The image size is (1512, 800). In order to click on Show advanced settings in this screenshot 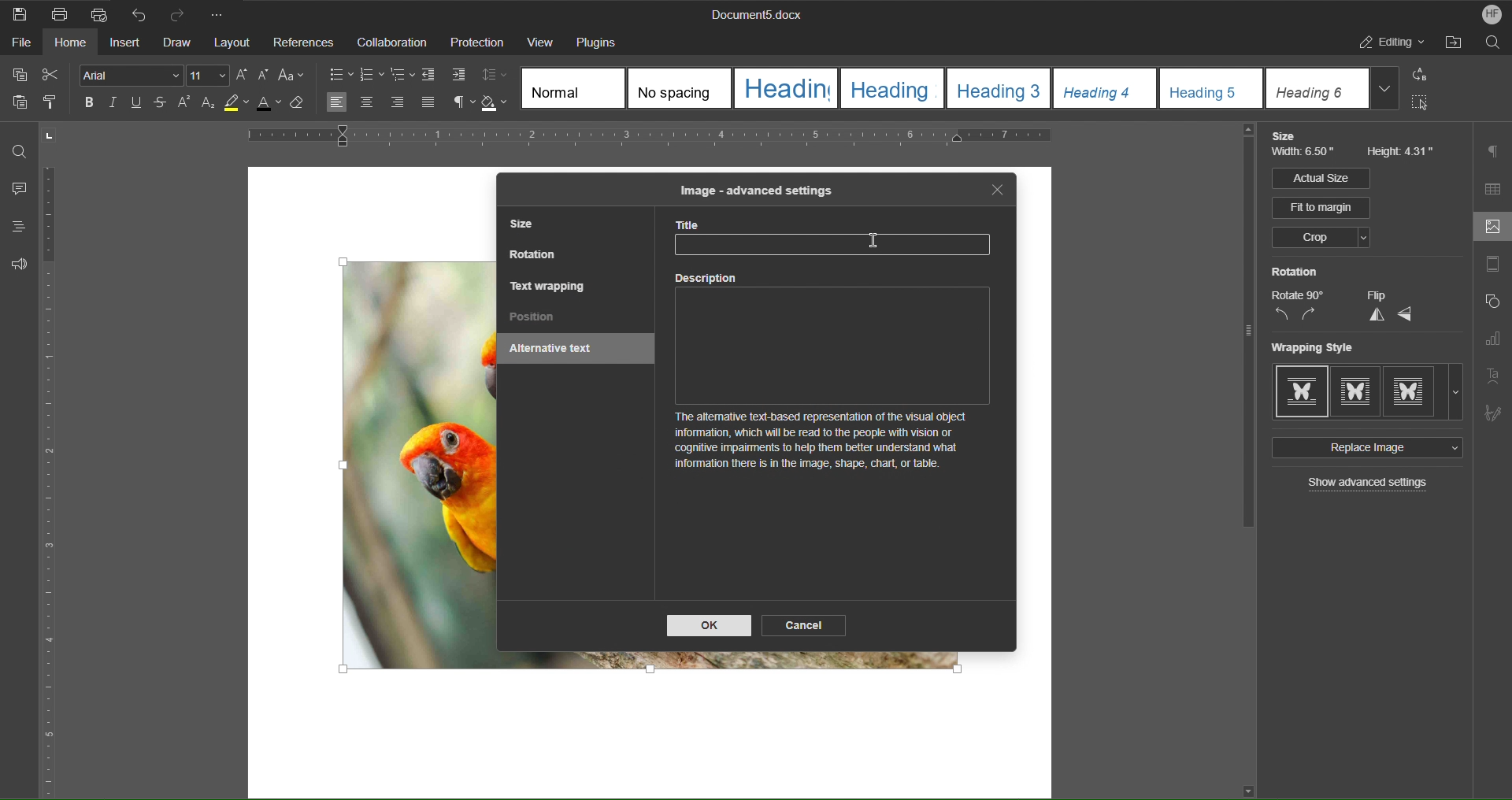, I will do `click(1369, 484)`.